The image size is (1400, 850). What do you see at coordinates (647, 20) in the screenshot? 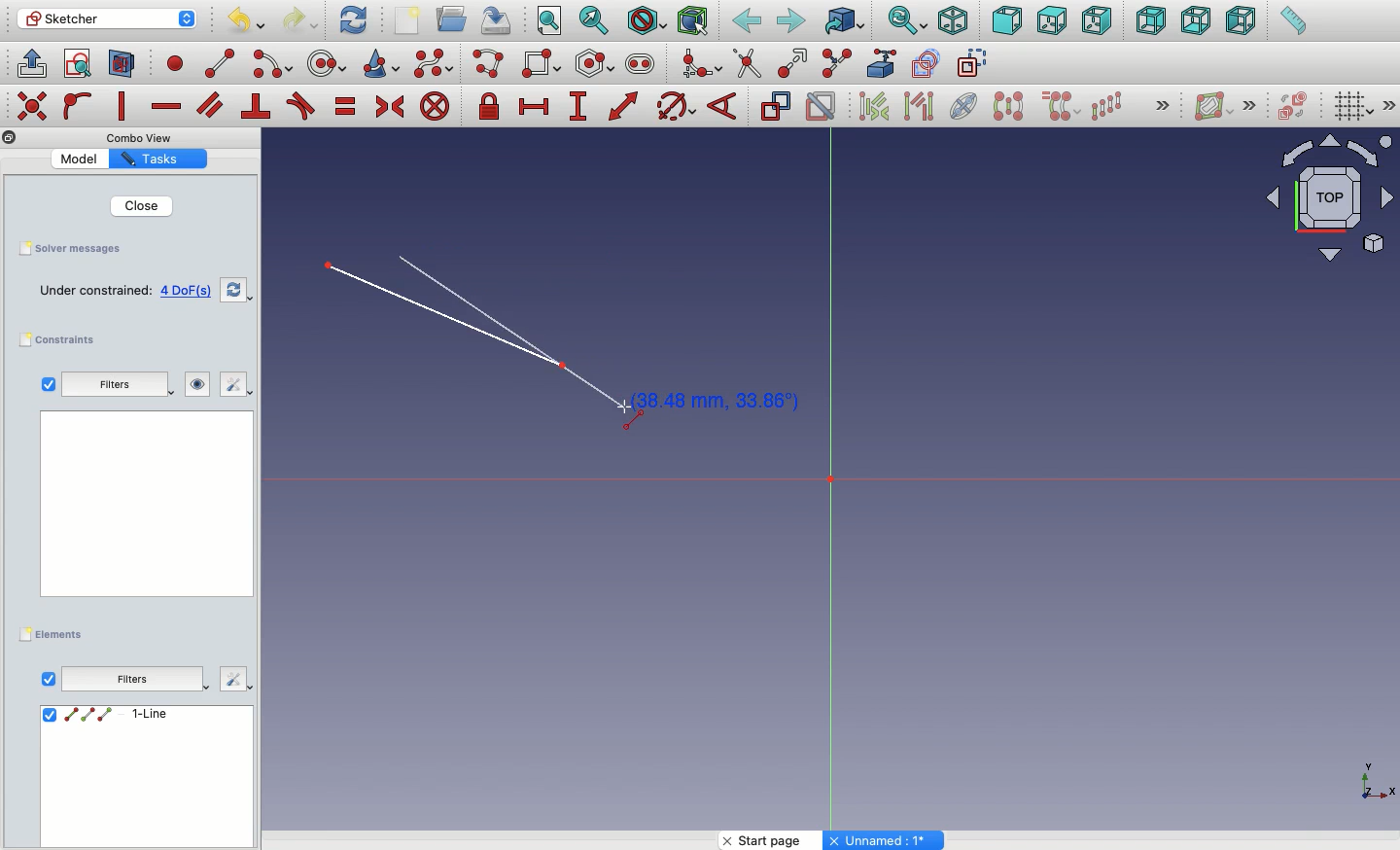
I see `Draw style` at bounding box center [647, 20].